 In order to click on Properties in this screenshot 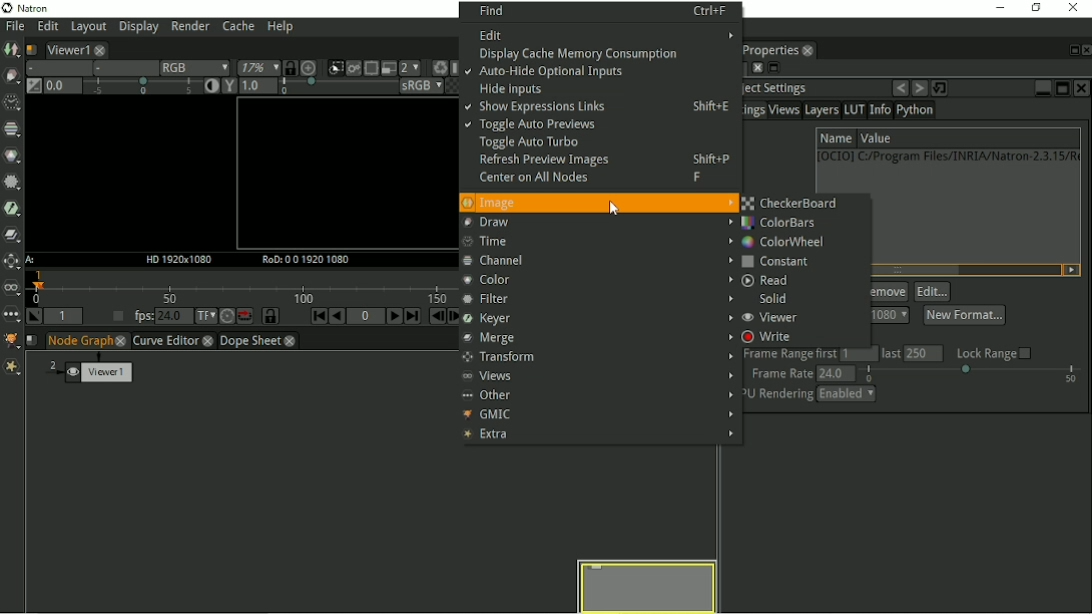, I will do `click(779, 50)`.